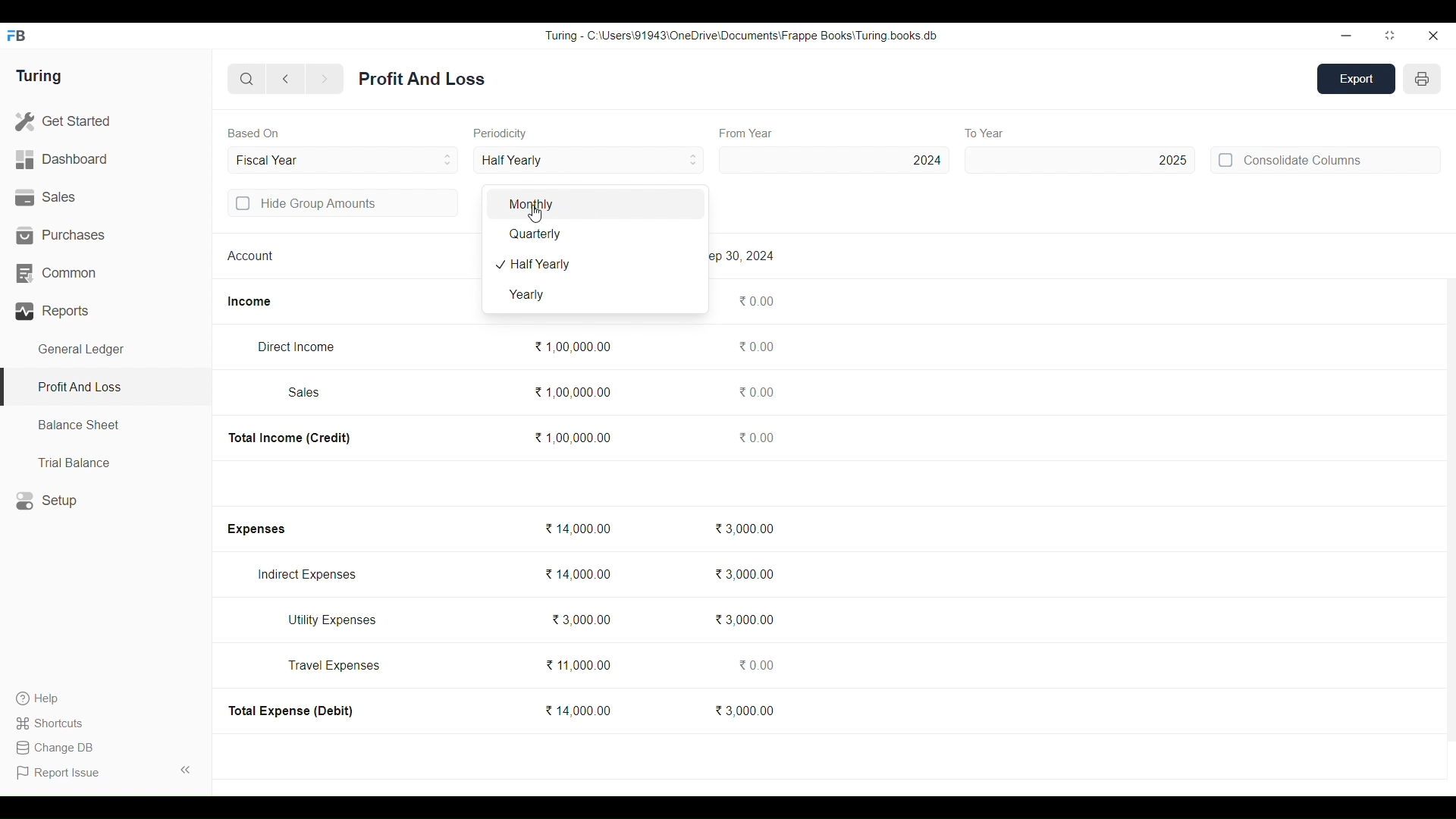  Describe the element at coordinates (292, 711) in the screenshot. I see `Total Expense (Debit)` at that location.